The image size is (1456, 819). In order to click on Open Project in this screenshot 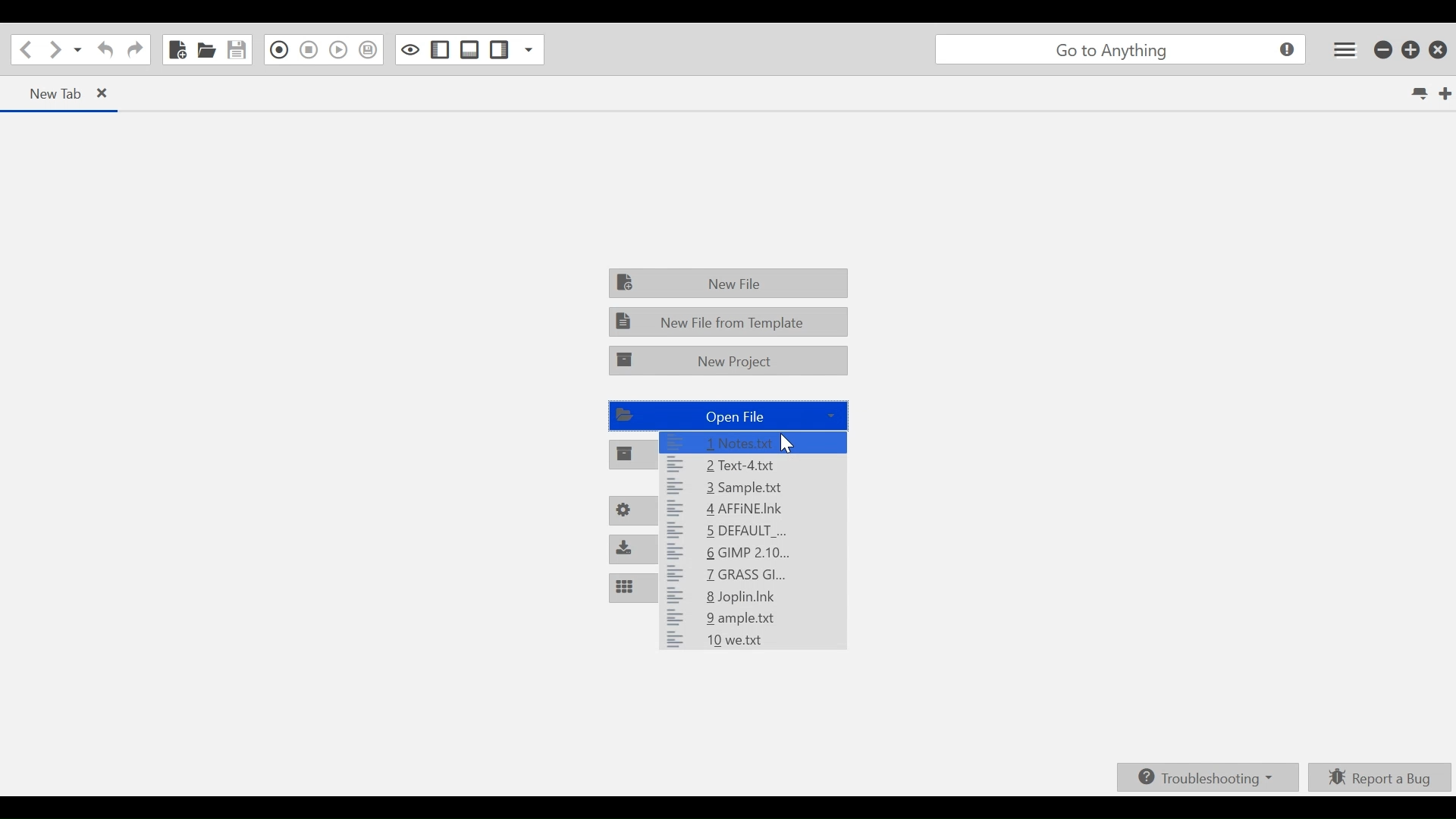, I will do `click(633, 456)`.